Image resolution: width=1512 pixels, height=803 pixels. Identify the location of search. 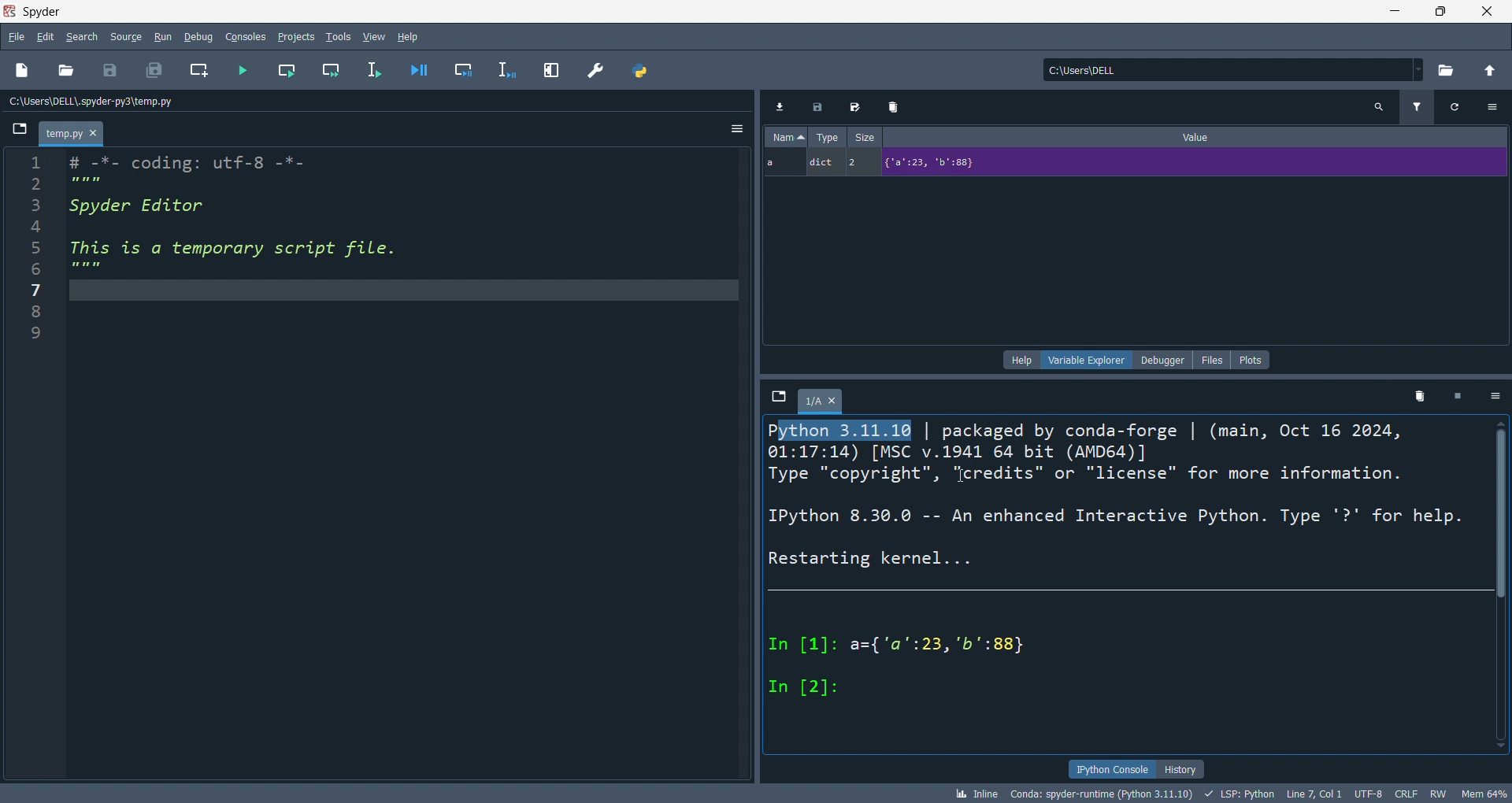
(78, 37).